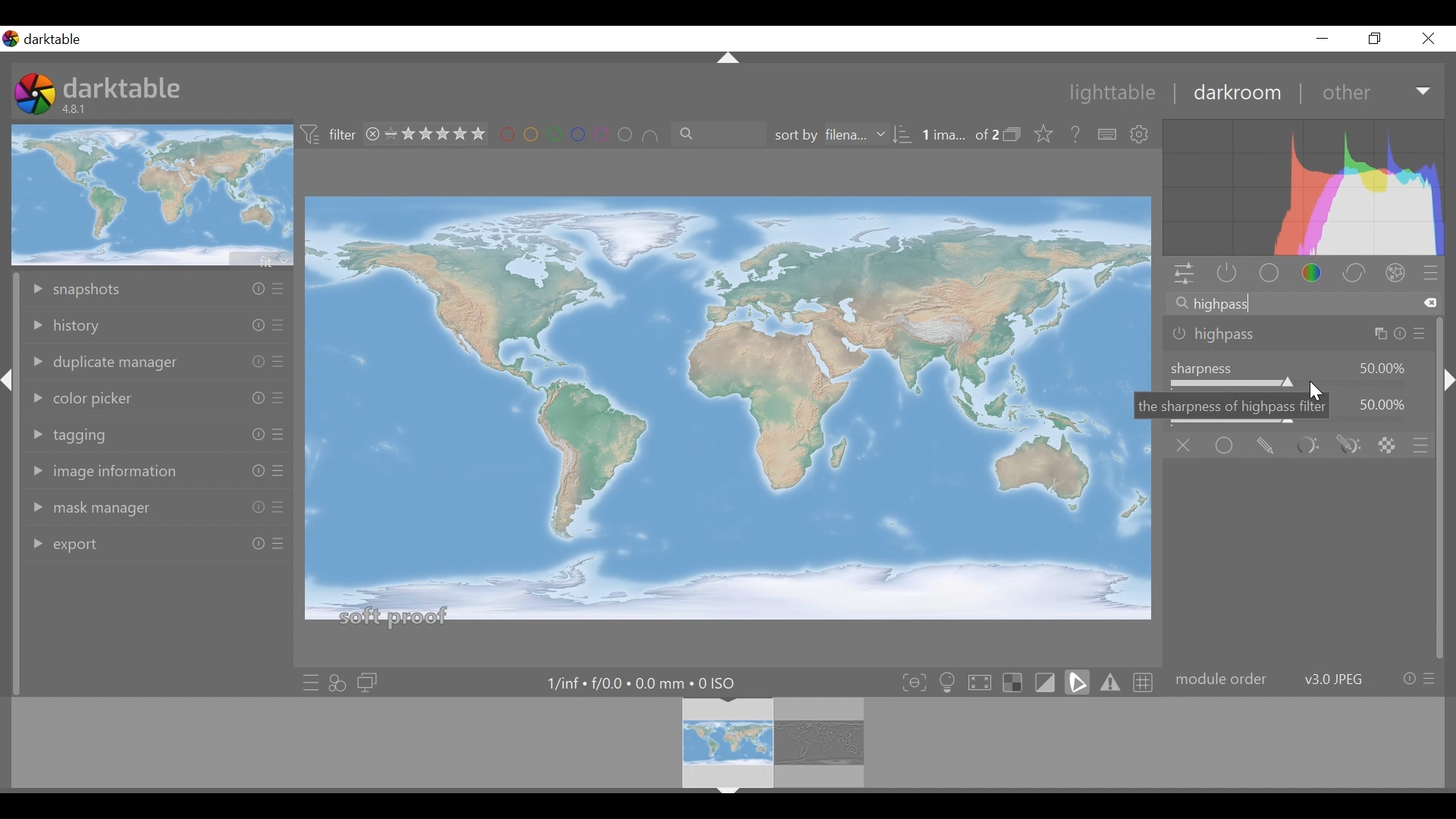 The image size is (1456, 819). I want to click on expand/collapse, so click(727, 58).